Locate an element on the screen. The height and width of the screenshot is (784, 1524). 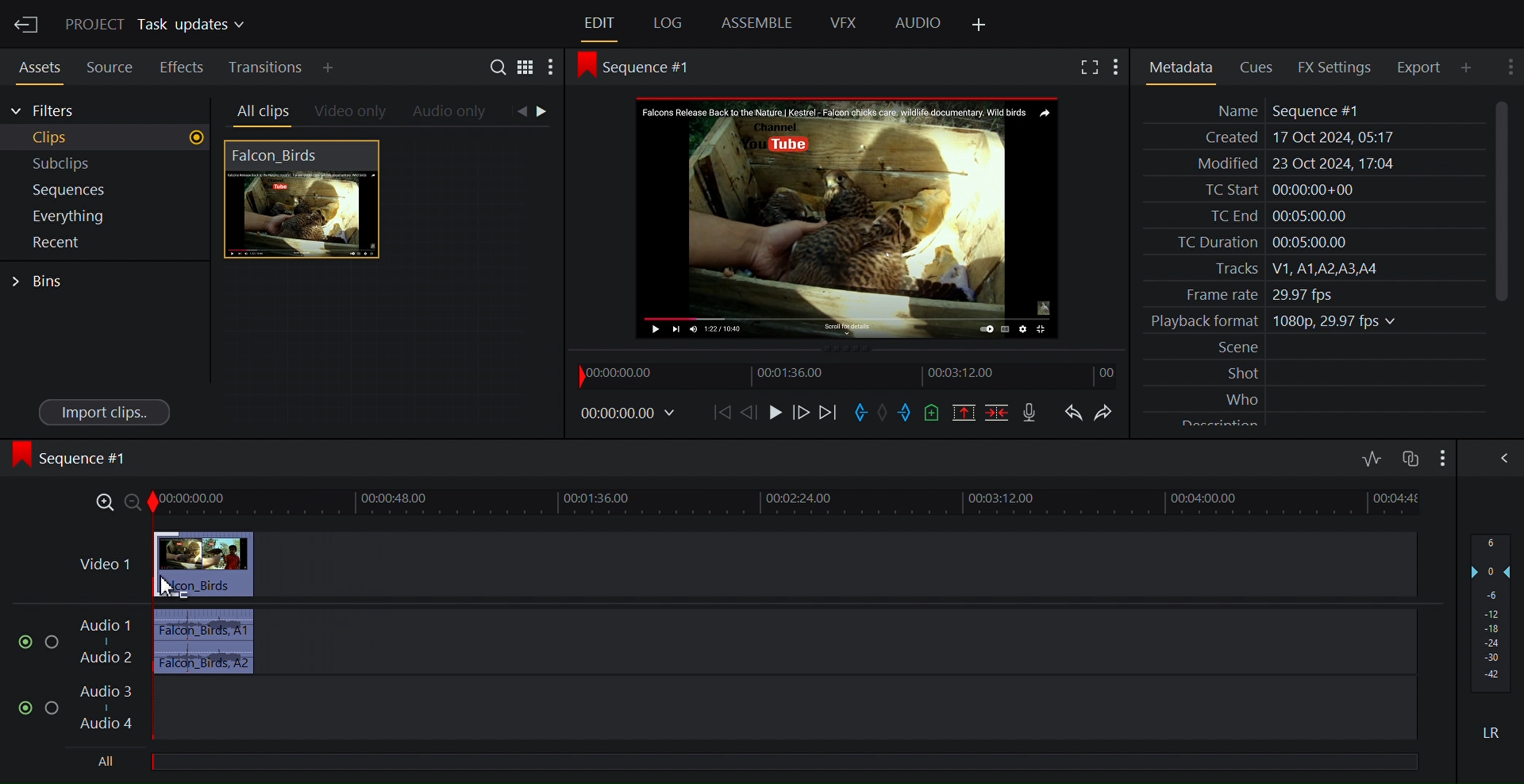
Playback format is located at coordinates (1312, 321).